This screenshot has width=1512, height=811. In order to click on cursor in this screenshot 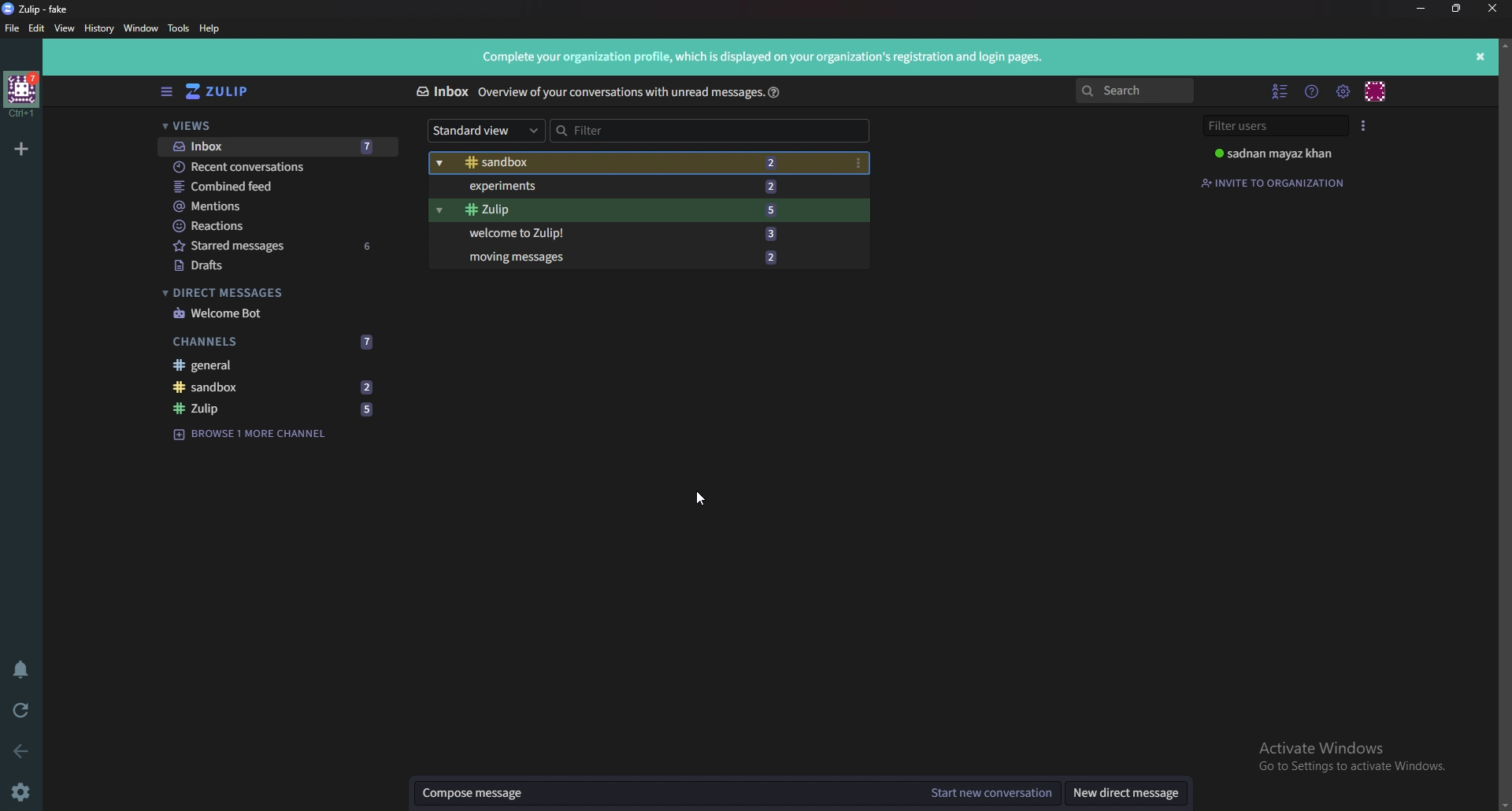, I will do `click(698, 498)`.